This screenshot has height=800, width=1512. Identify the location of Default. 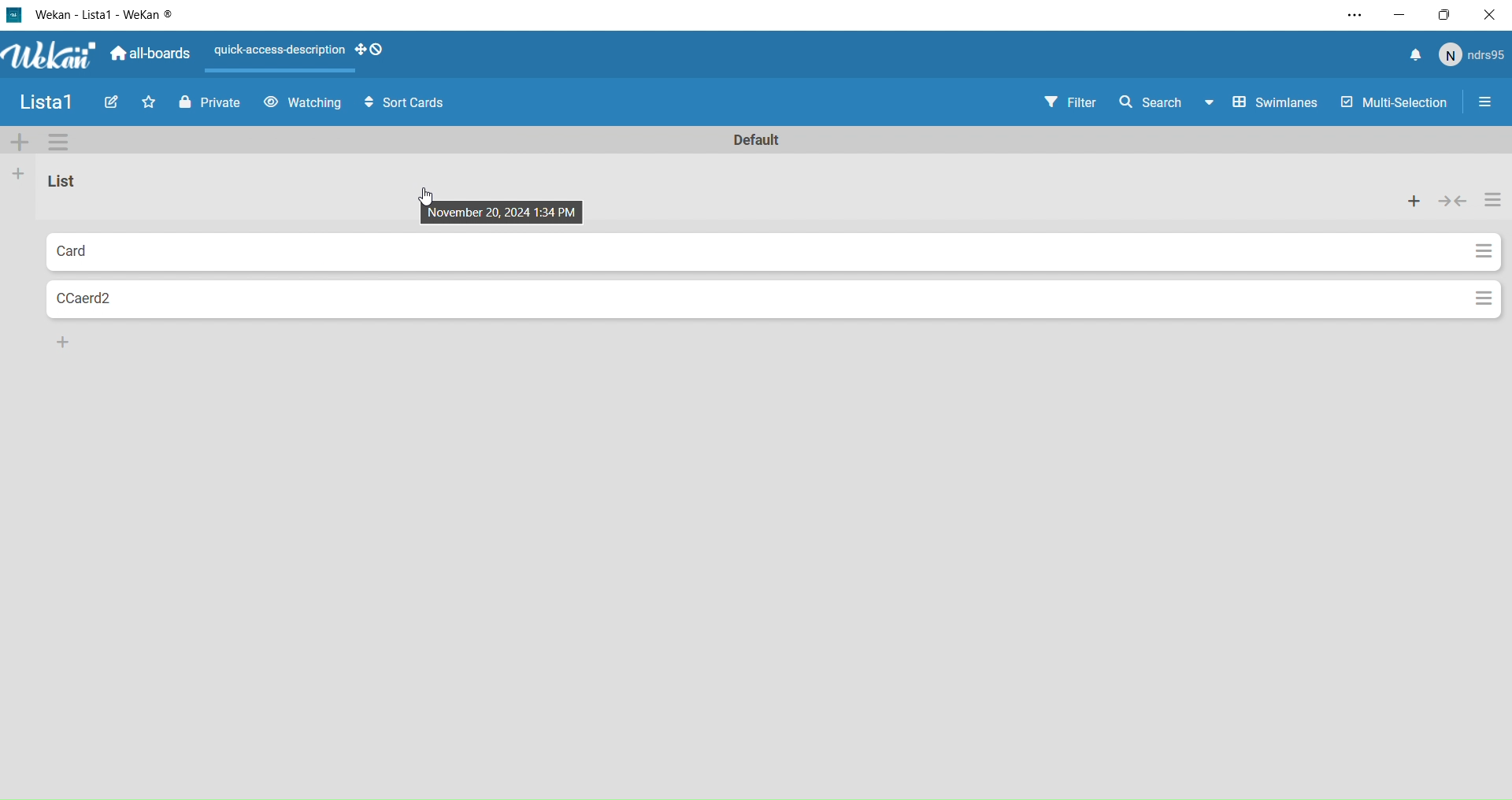
(757, 138).